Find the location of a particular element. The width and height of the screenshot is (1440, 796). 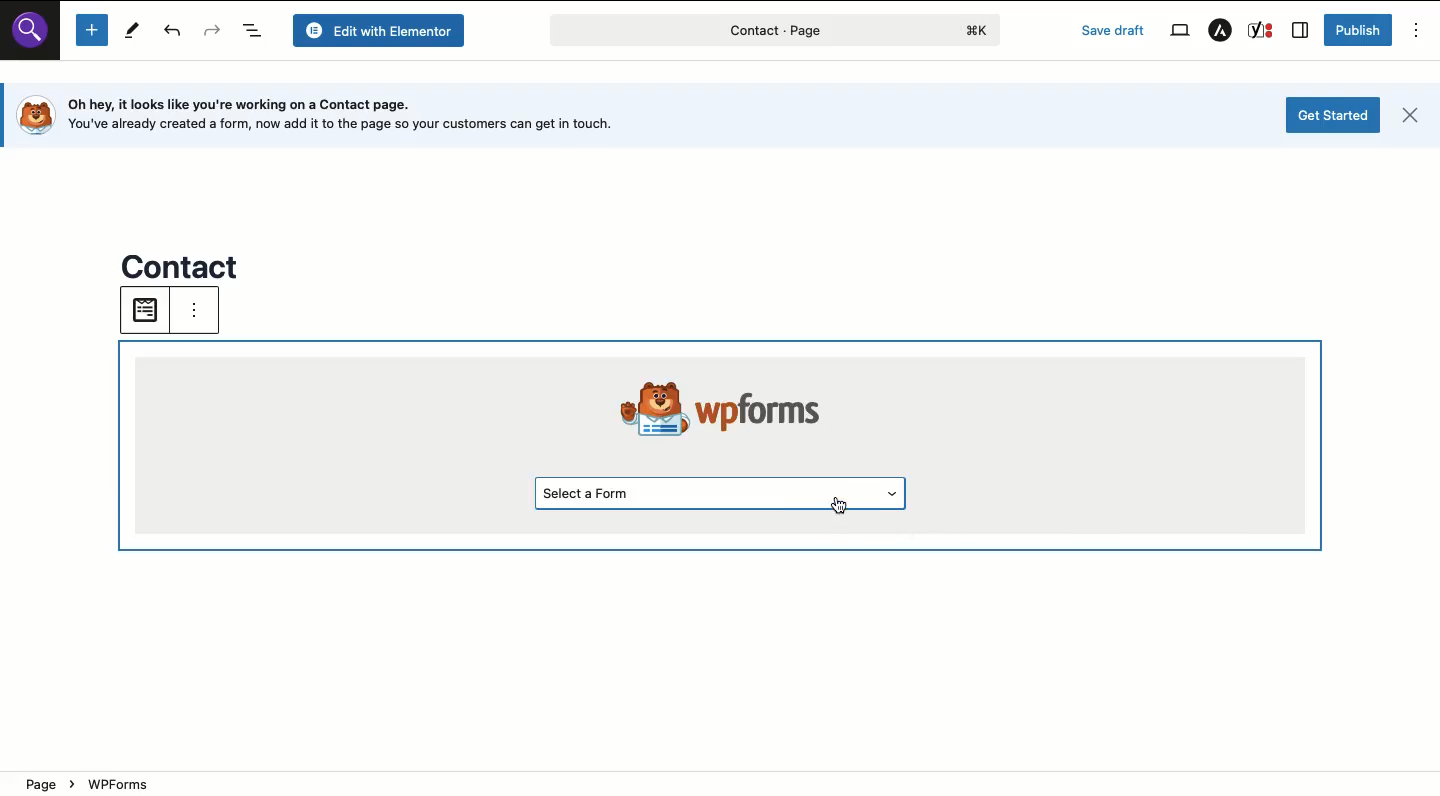

logo is located at coordinates (981, 30).